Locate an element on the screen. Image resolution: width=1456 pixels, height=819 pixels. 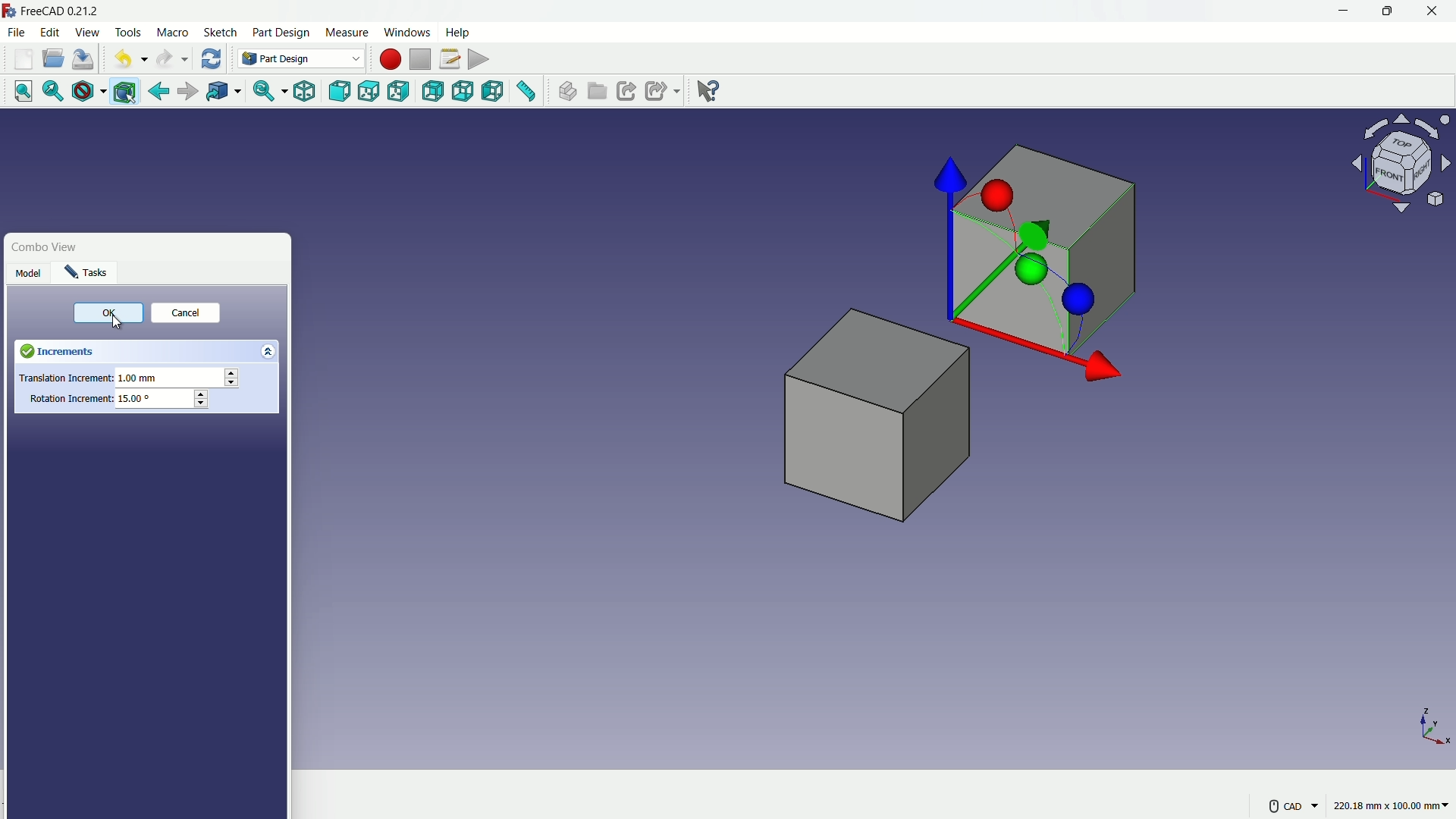
task is located at coordinates (88, 274).